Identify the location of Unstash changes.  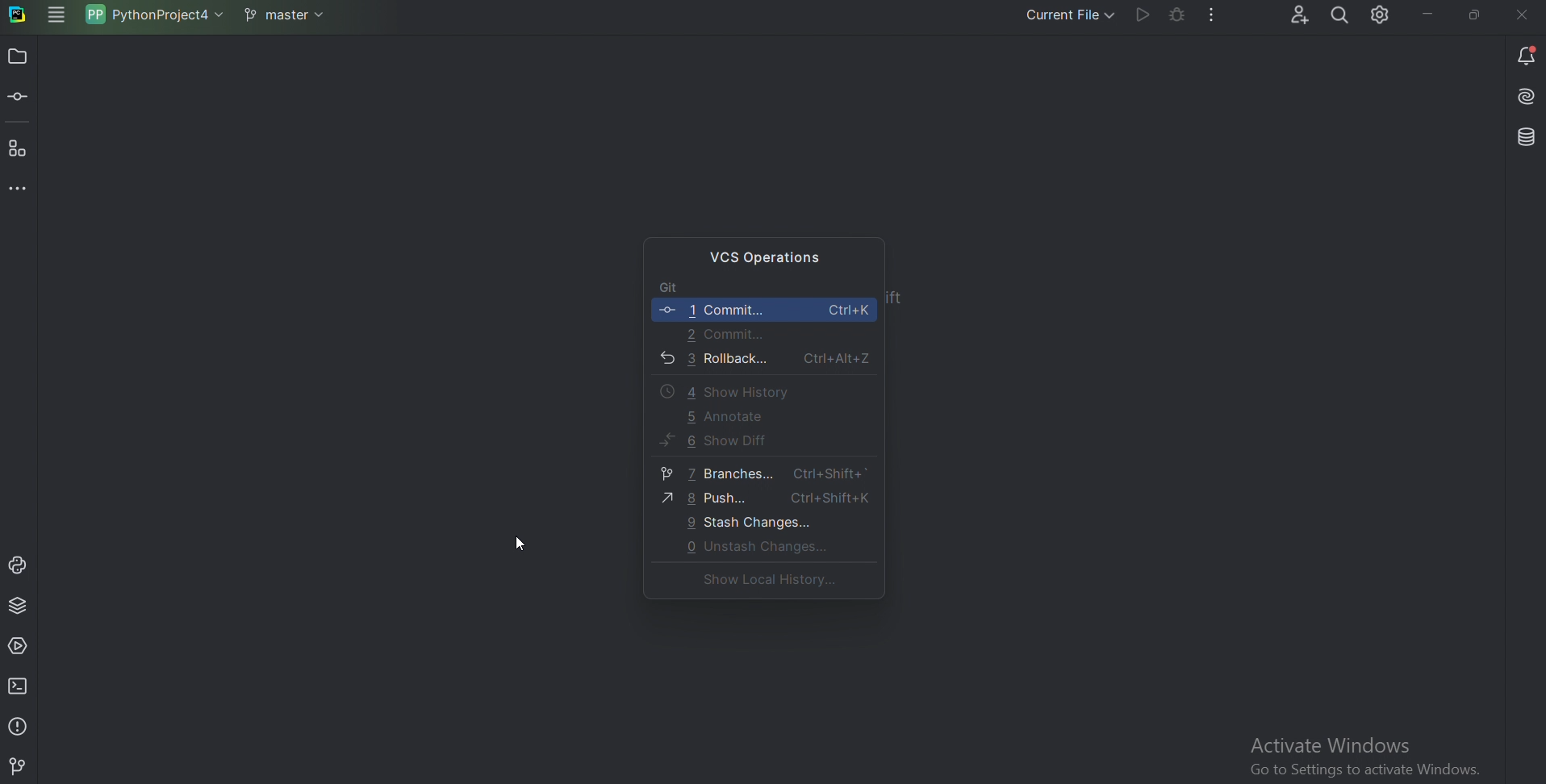
(752, 546).